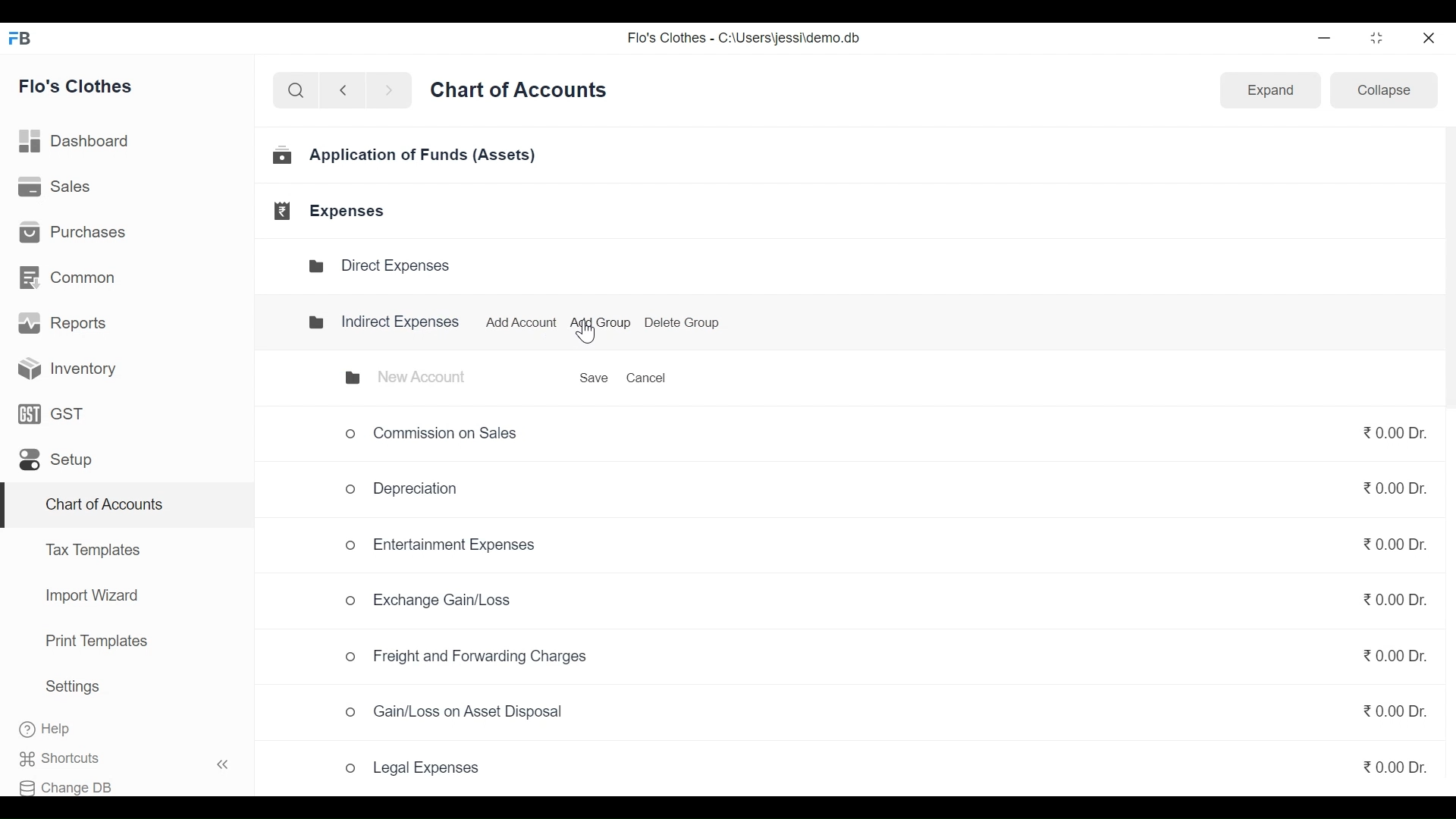 Image resolution: width=1456 pixels, height=819 pixels. I want to click on Import Wizard, so click(87, 598).